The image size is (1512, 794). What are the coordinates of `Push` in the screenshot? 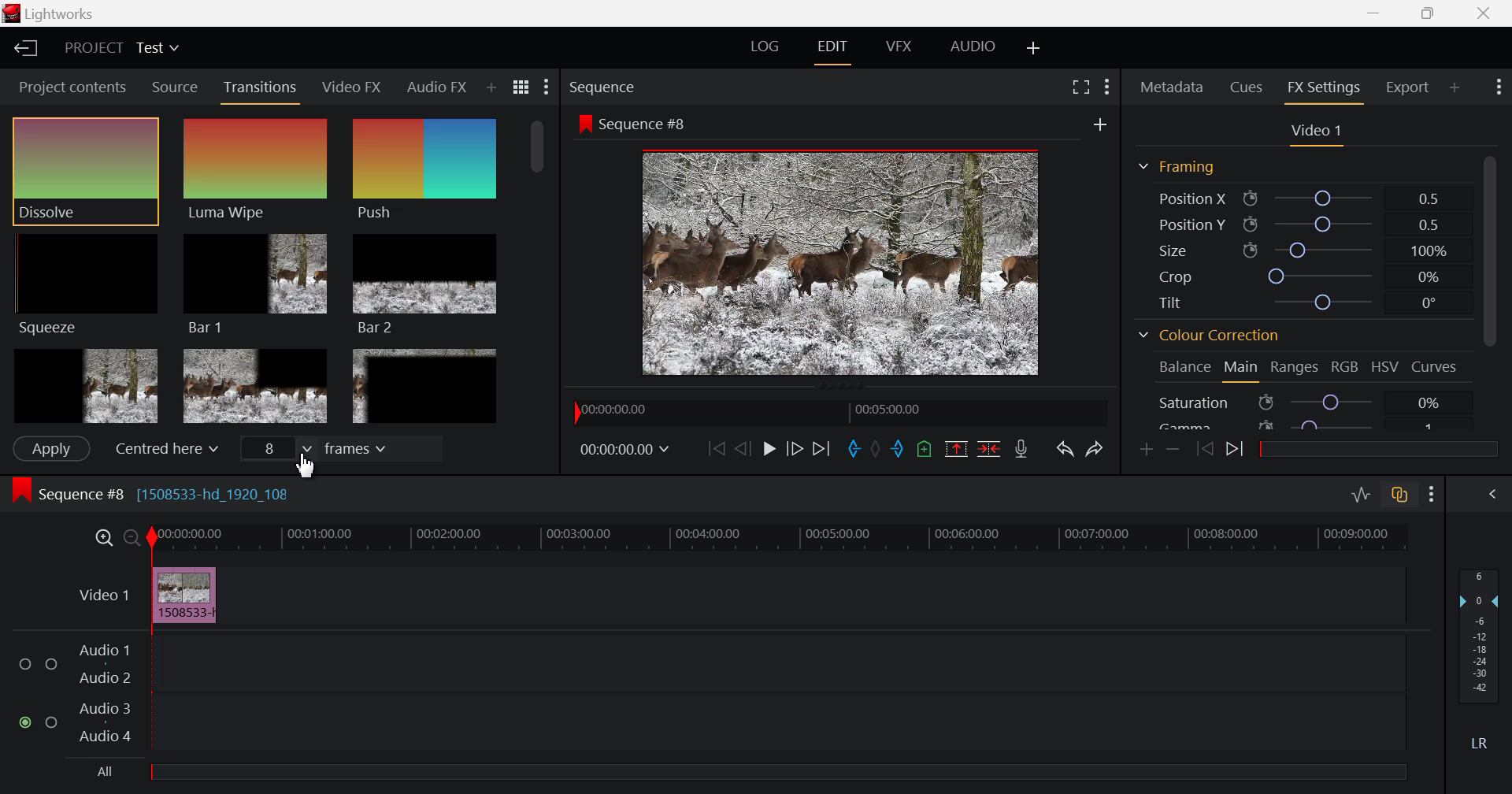 It's located at (424, 171).